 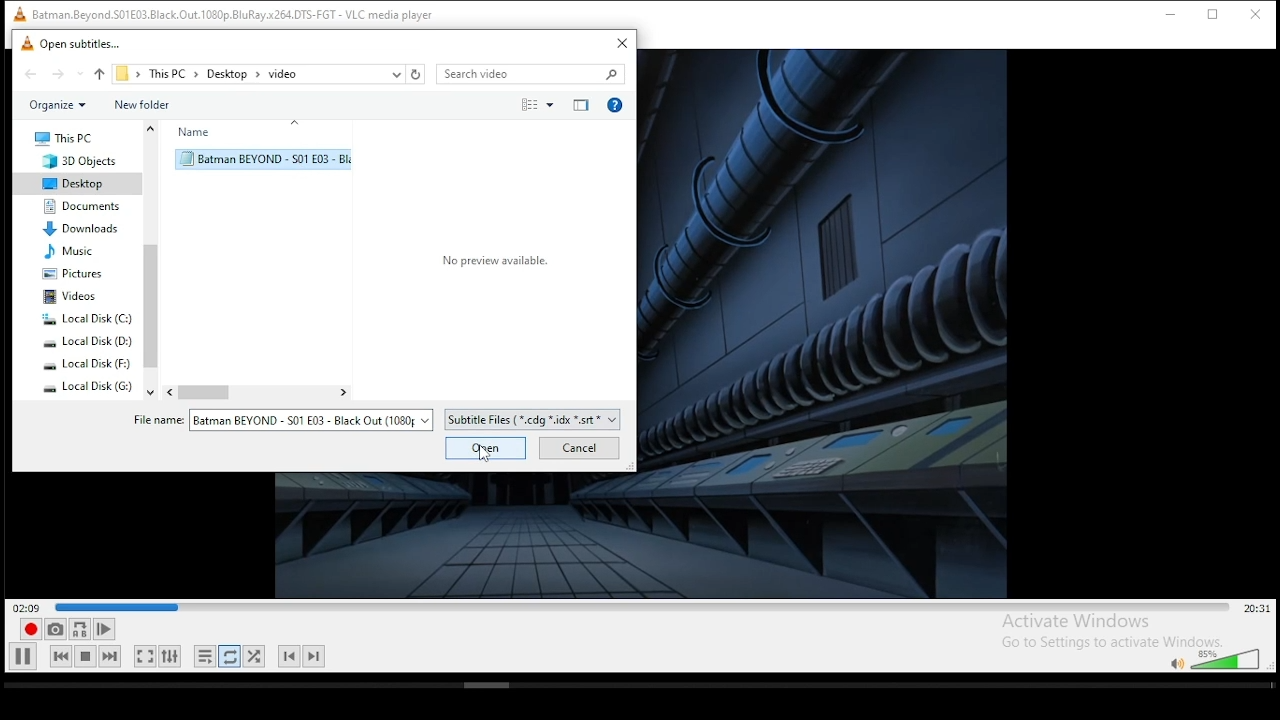 What do you see at coordinates (313, 418) in the screenshot?
I see `file options` at bounding box center [313, 418].